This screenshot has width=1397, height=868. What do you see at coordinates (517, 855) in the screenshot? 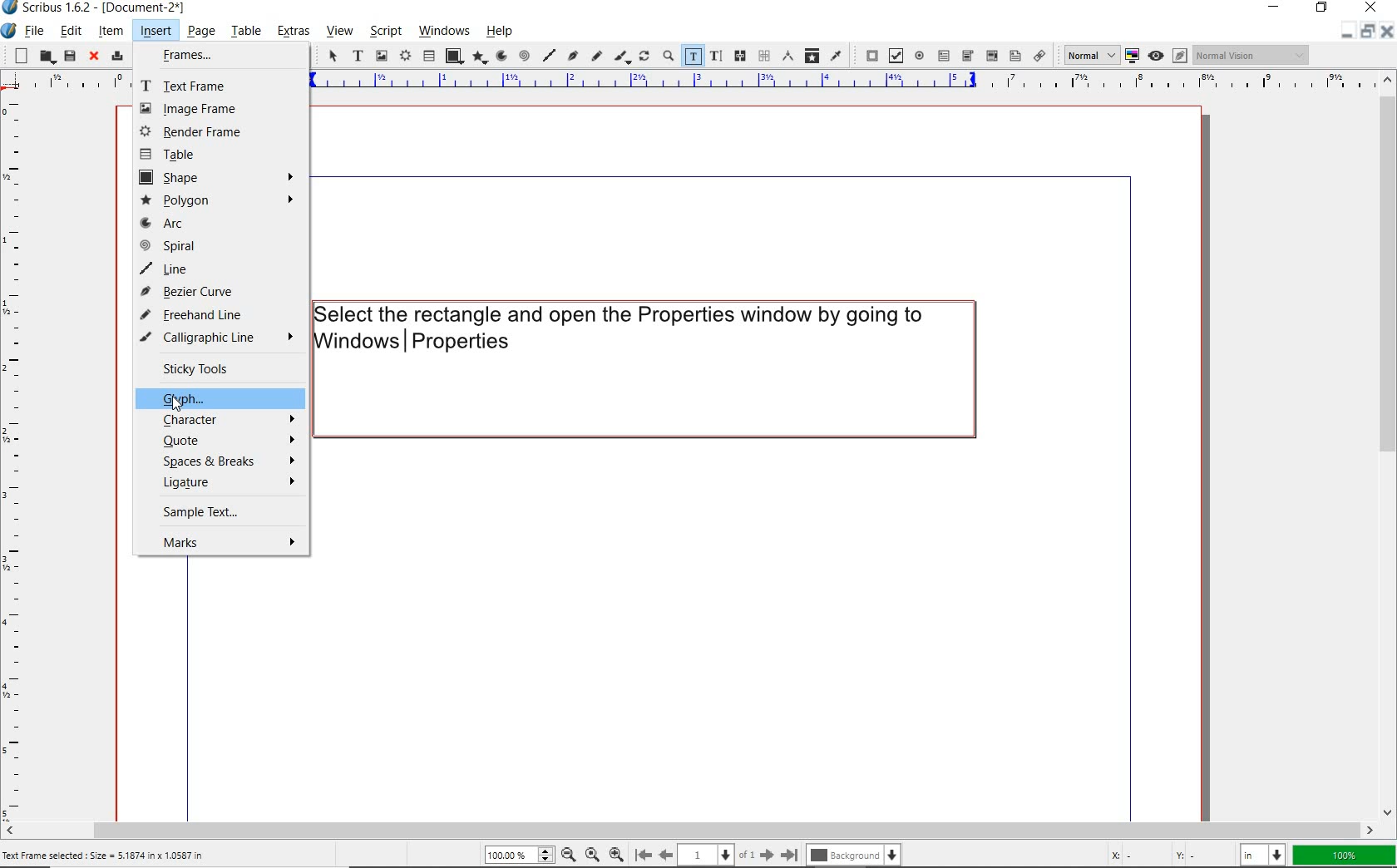
I see `100.00%` at bounding box center [517, 855].